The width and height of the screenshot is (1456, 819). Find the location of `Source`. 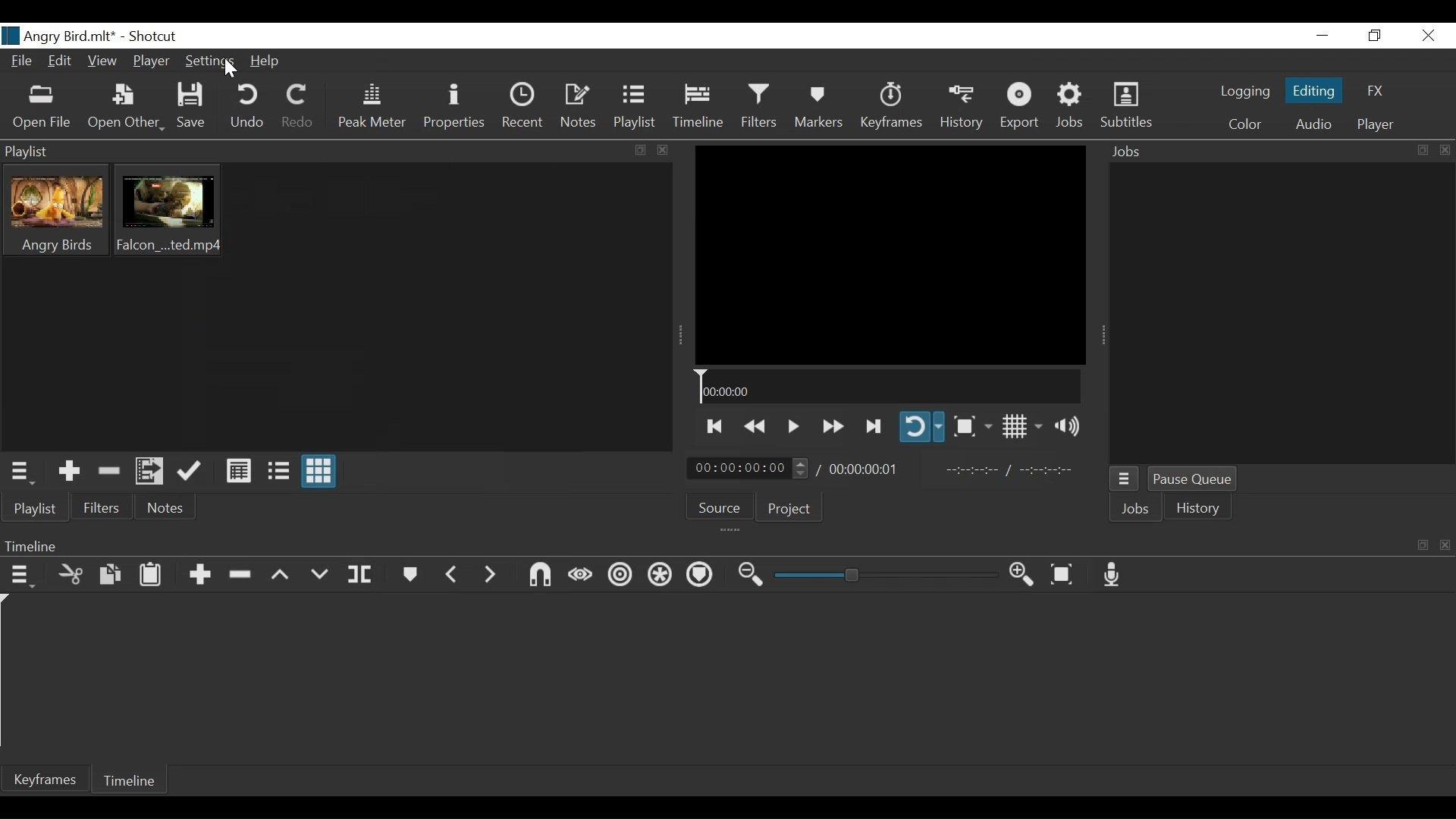

Source is located at coordinates (721, 507).